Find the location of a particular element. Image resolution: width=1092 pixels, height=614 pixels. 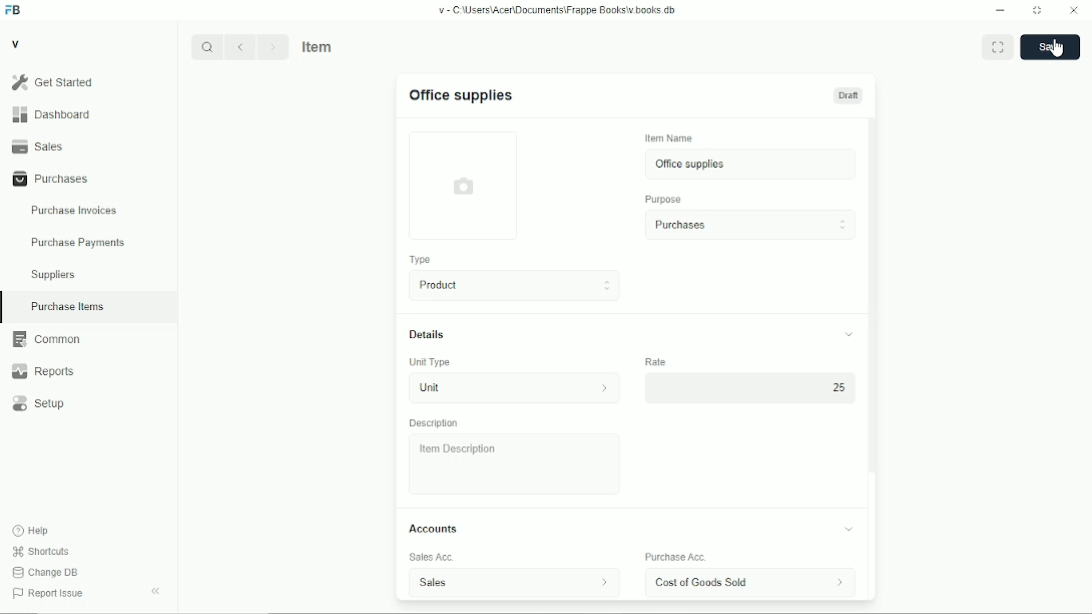

Next is located at coordinates (273, 46).